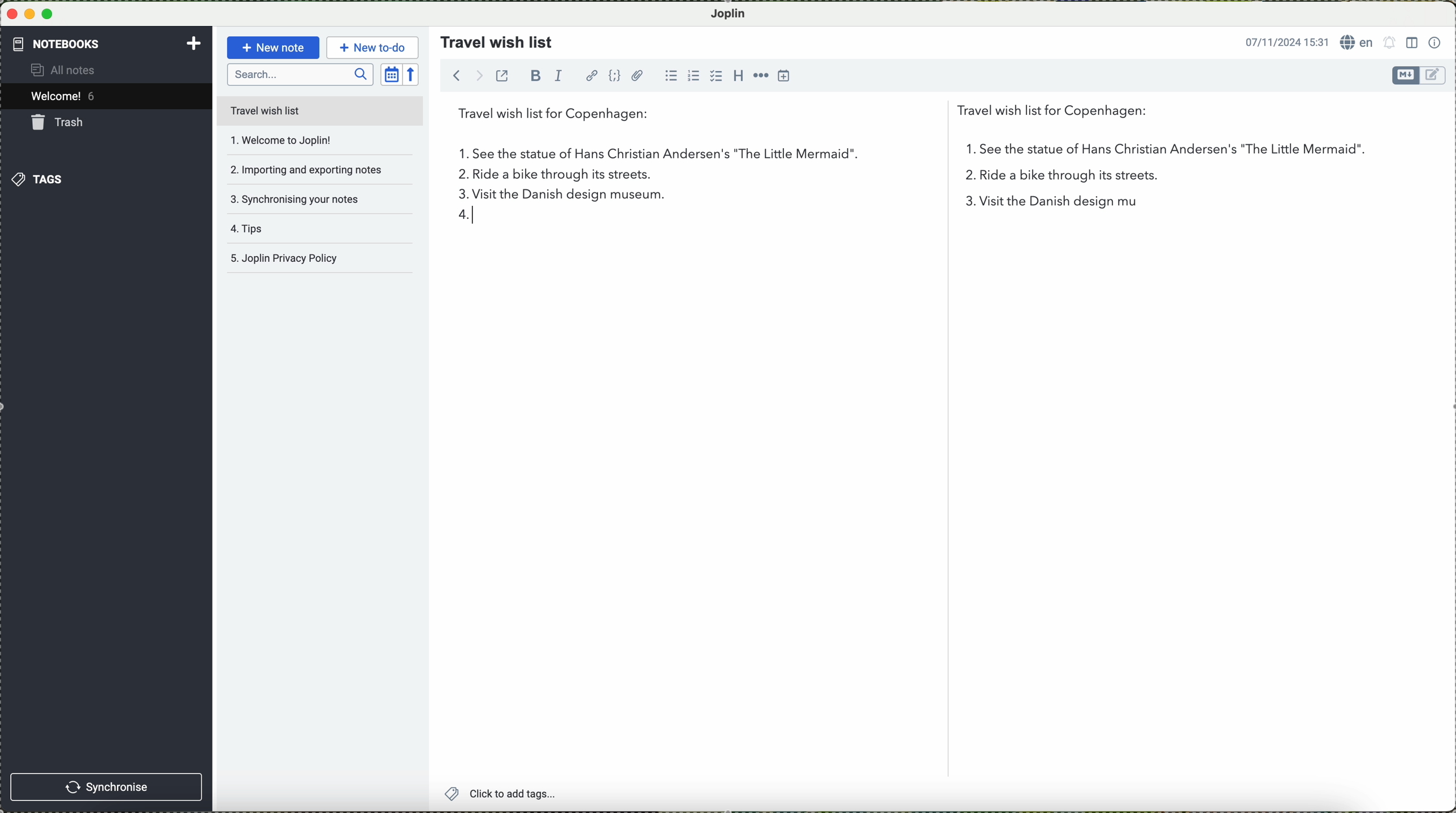  What do you see at coordinates (638, 75) in the screenshot?
I see `attach file` at bounding box center [638, 75].